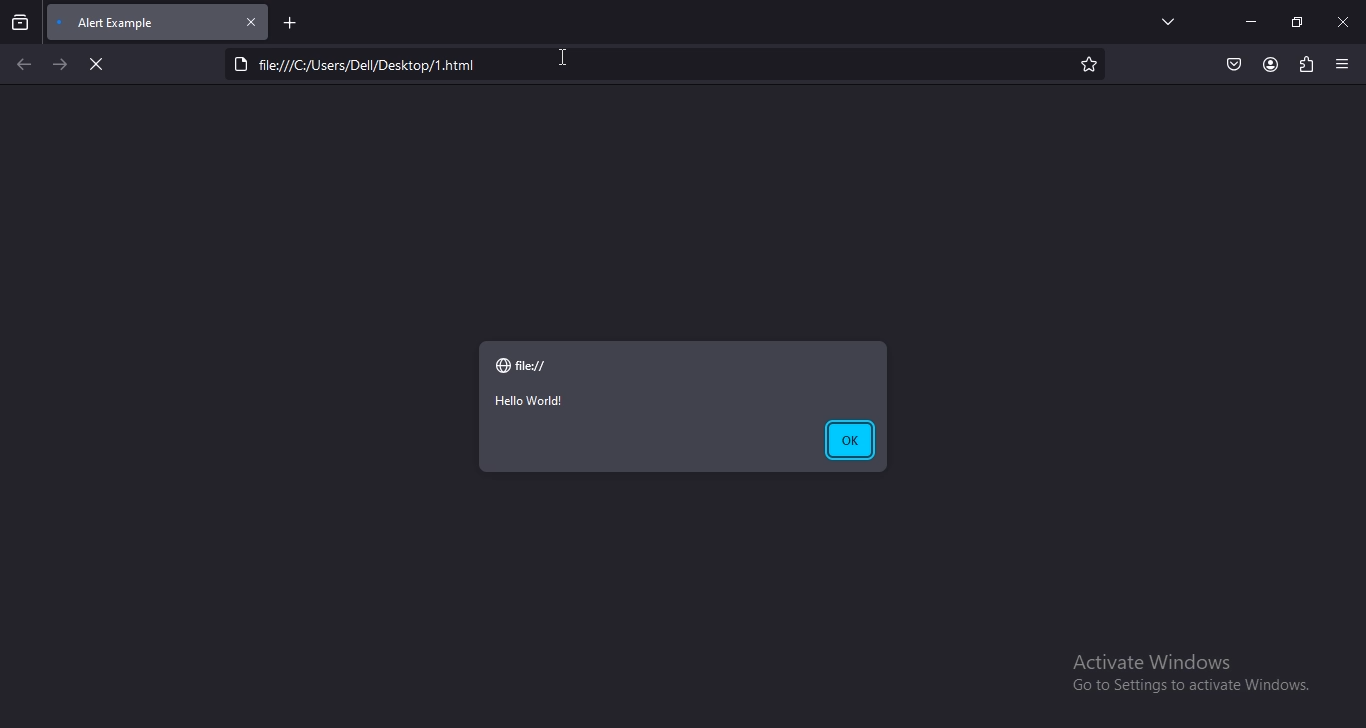  Describe the element at coordinates (1342, 63) in the screenshot. I see `more` at that location.